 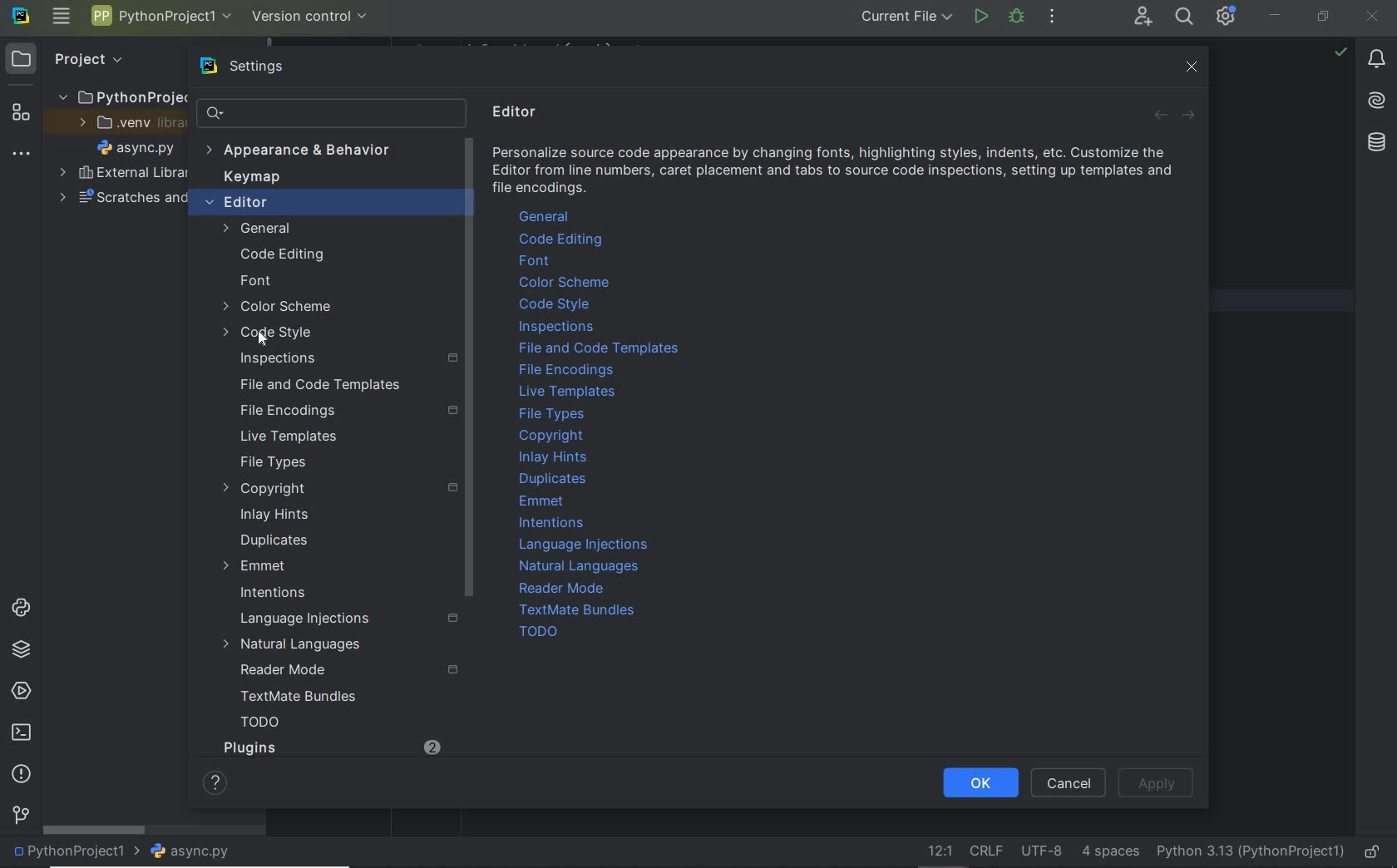 What do you see at coordinates (122, 173) in the screenshot?
I see `external libraries` at bounding box center [122, 173].